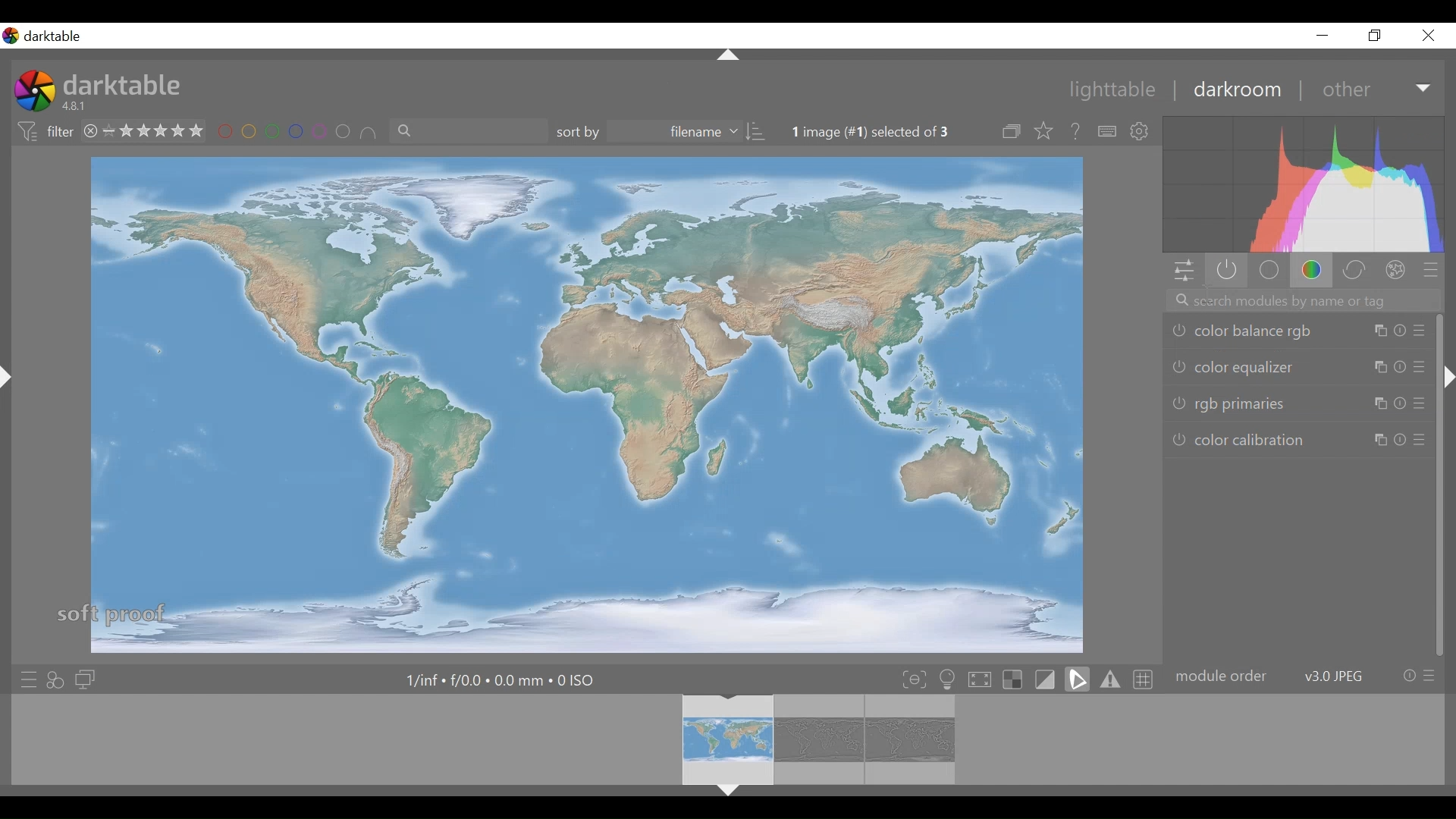 This screenshot has height=819, width=1456. What do you see at coordinates (1268, 270) in the screenshot?
I see `base` at bounding box center [1268, 270].